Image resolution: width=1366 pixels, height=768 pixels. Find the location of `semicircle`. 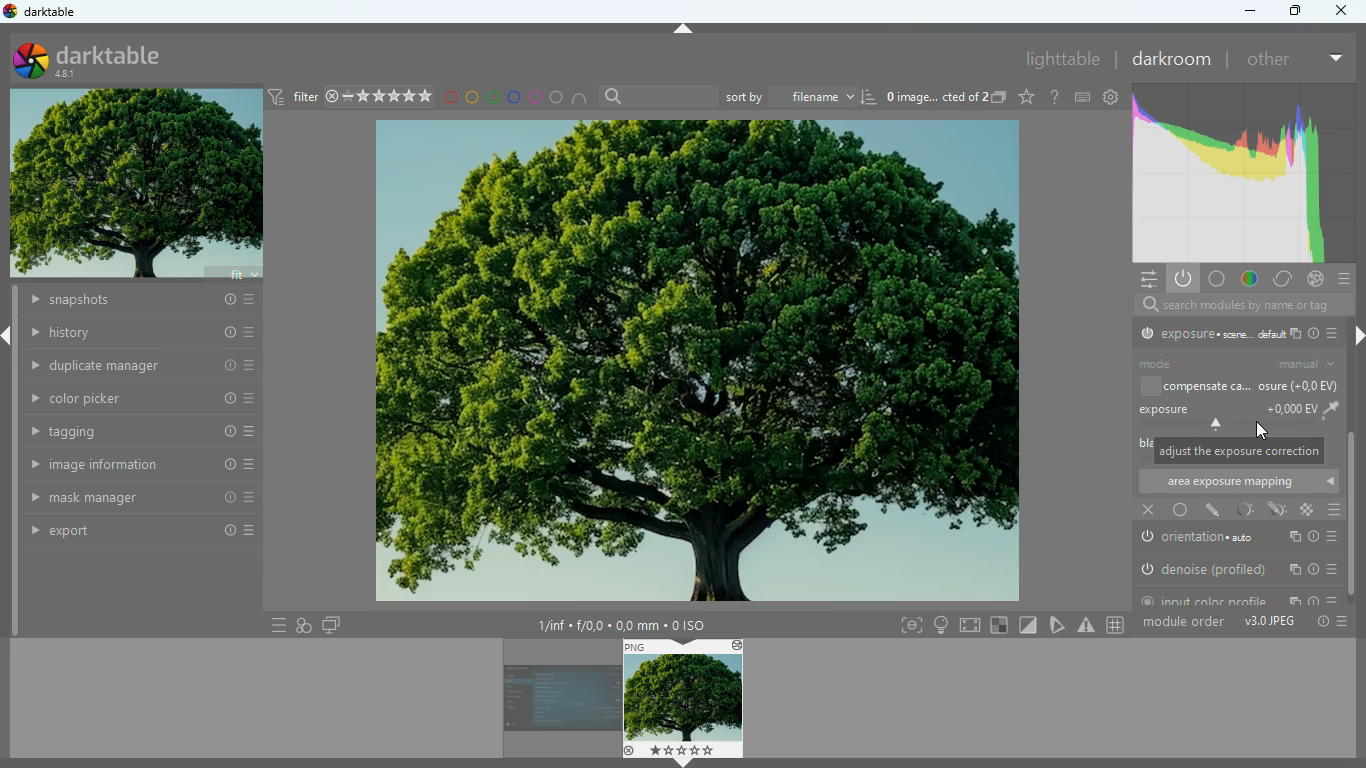

semicircle is located at coordinates (581, 99).